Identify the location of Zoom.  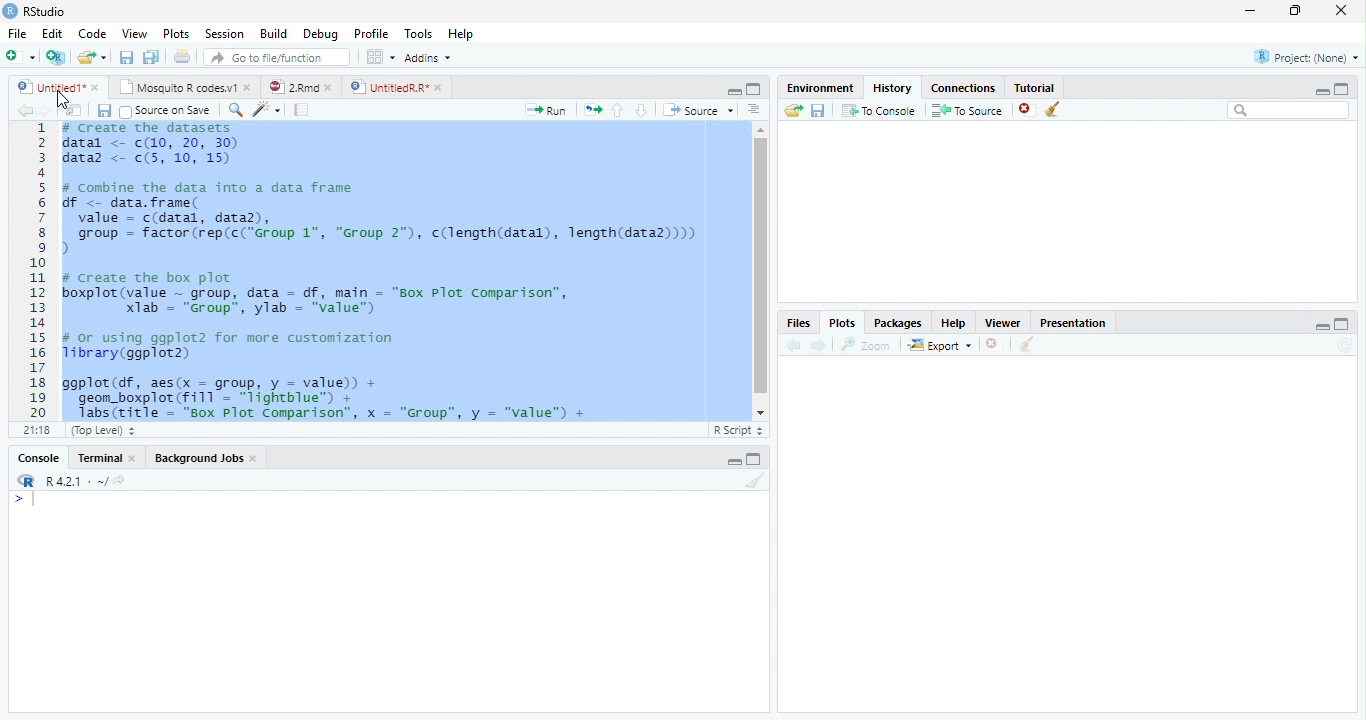
(866, 345).